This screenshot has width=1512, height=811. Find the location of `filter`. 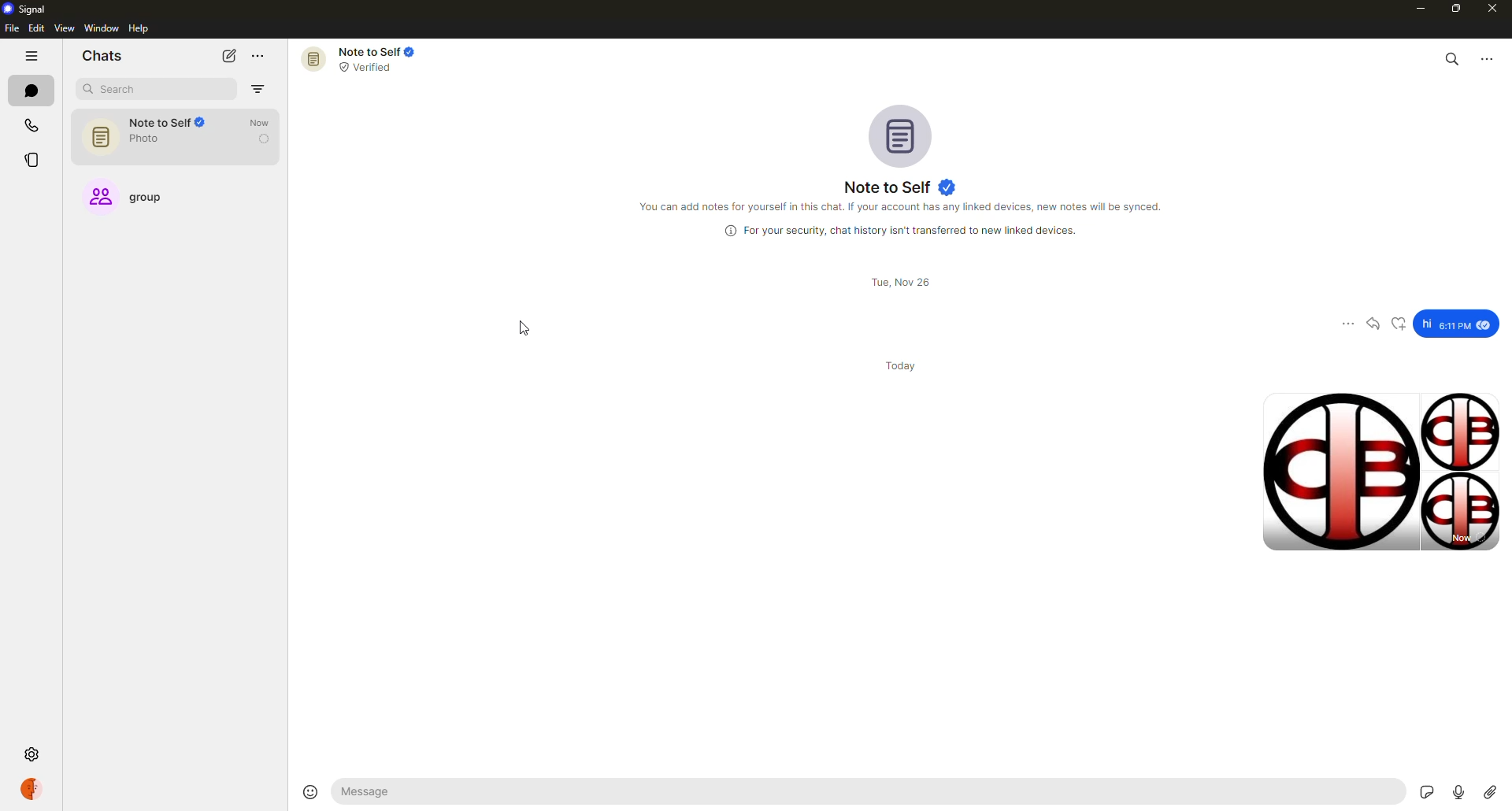

filter is located at coordinates (257, 88).